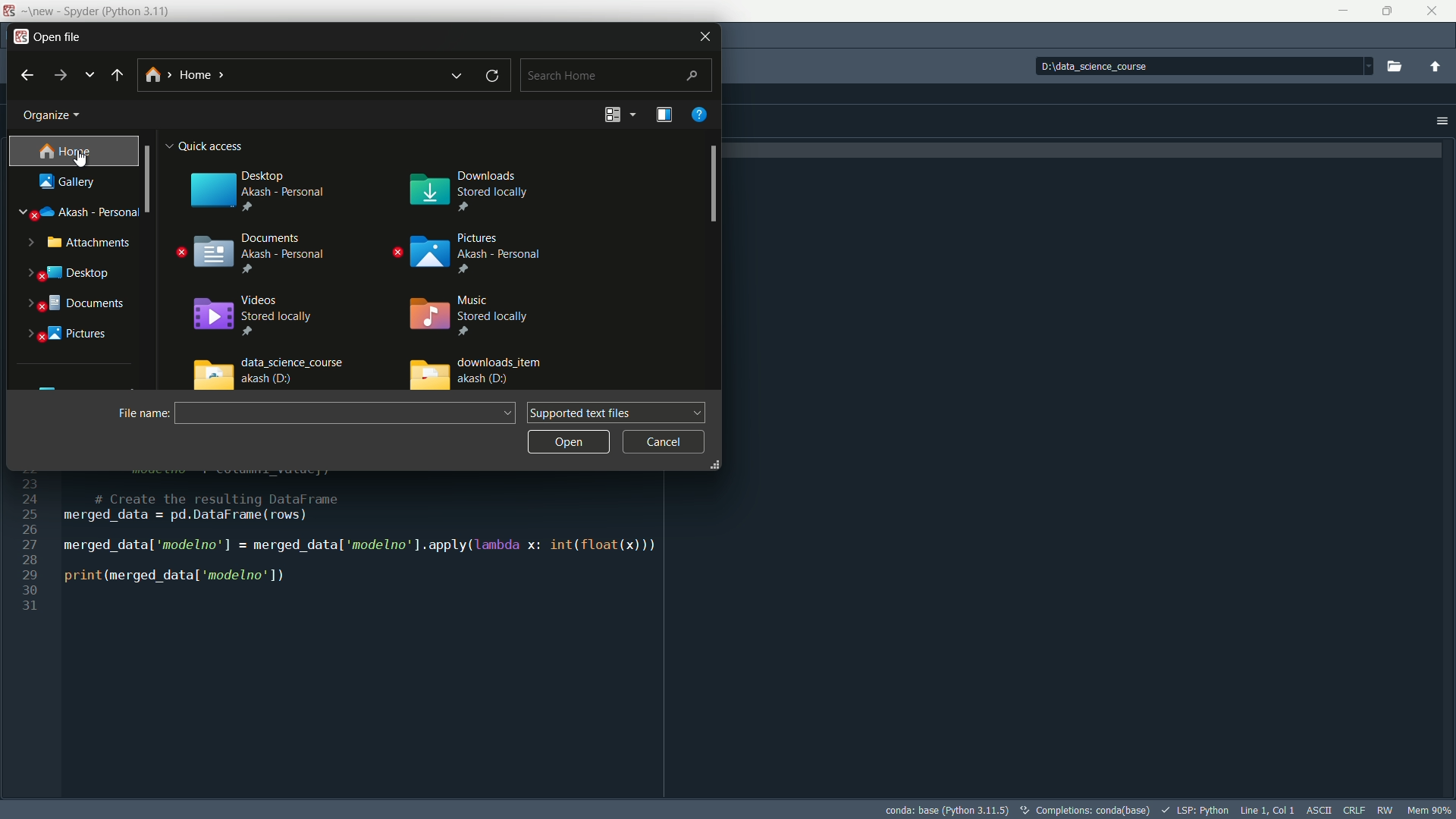  What do you see at coordinates (21, 217) in the screenshot?
I see `expand` at bounding box center [21, 217].